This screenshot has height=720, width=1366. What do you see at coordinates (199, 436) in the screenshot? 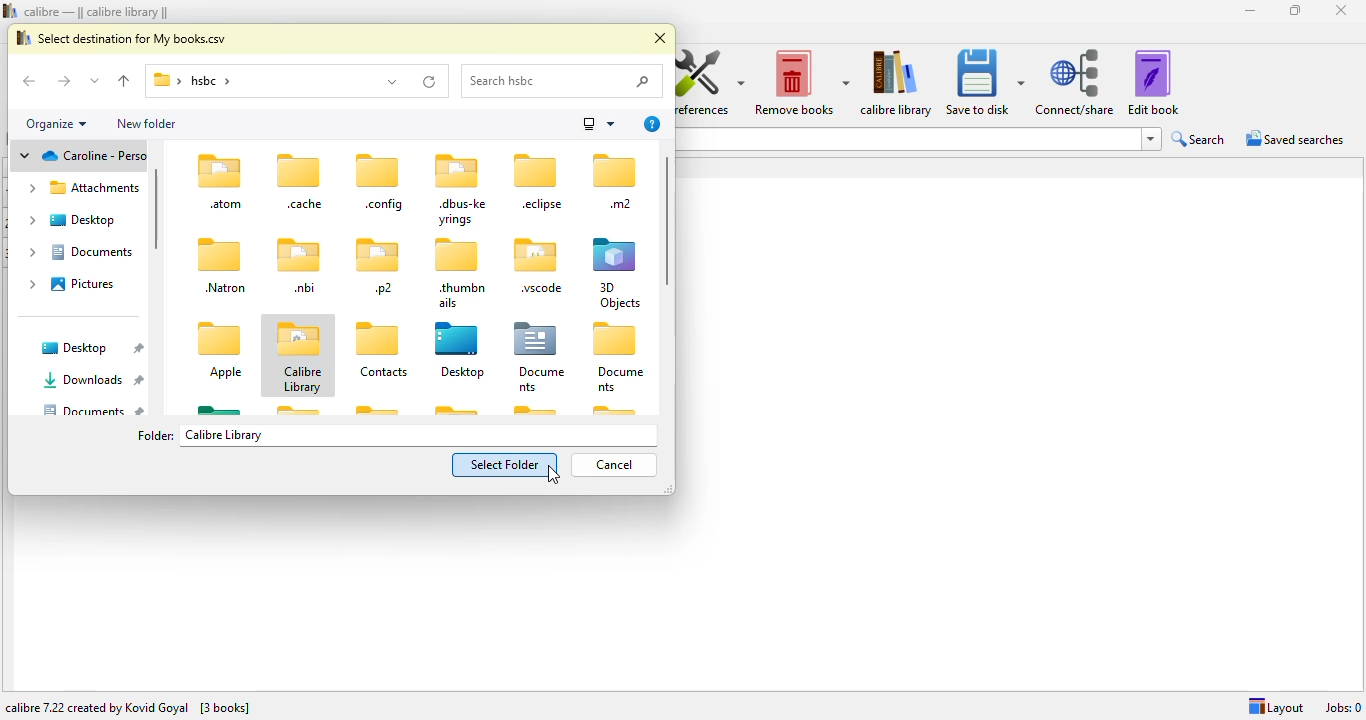
I see `folder: calibre library` at bounding box center [199, 436].